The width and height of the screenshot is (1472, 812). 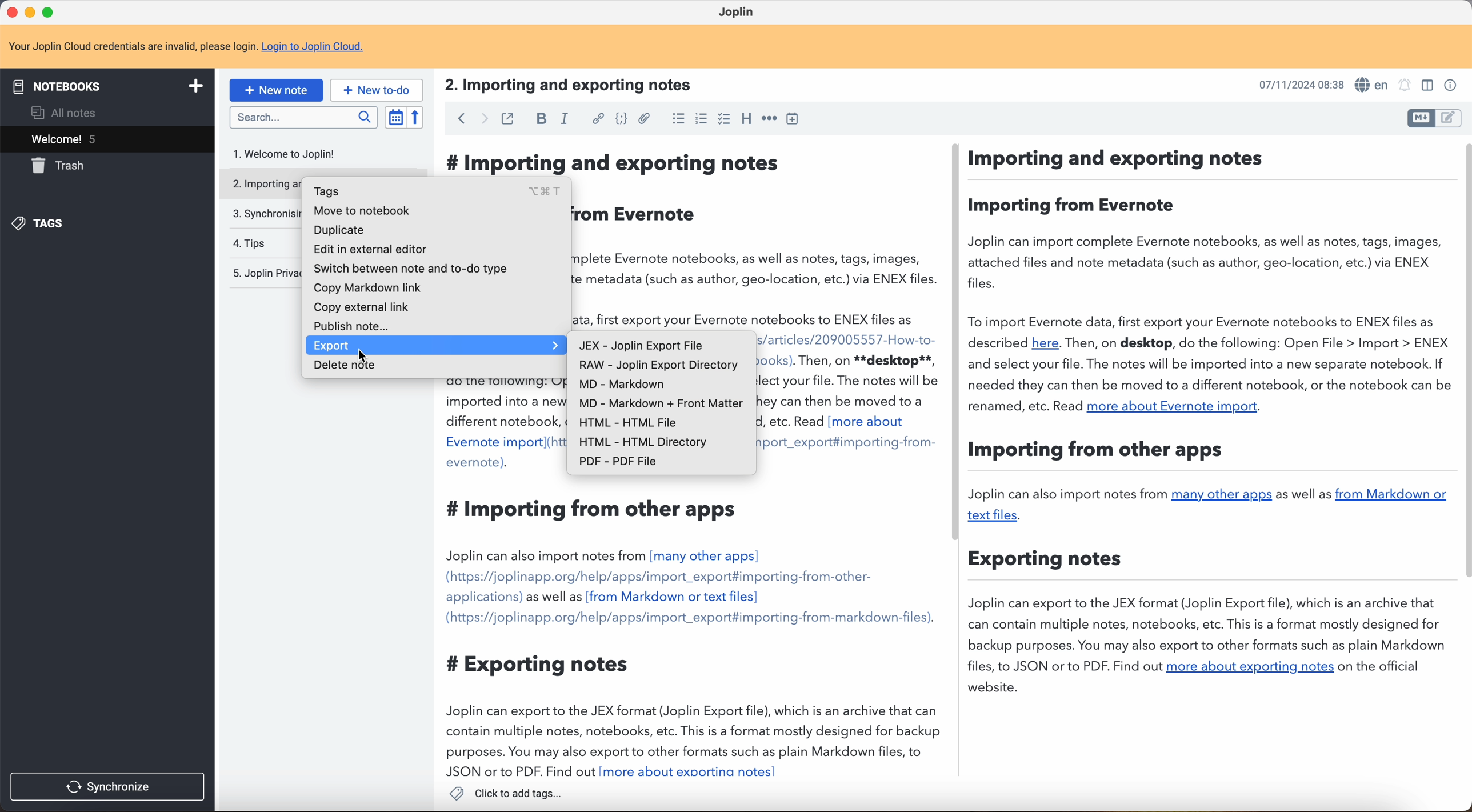 What do you see at coordinates (644, 118) in the screenshot?
I see `attach file` at bounding box center [644, 118].